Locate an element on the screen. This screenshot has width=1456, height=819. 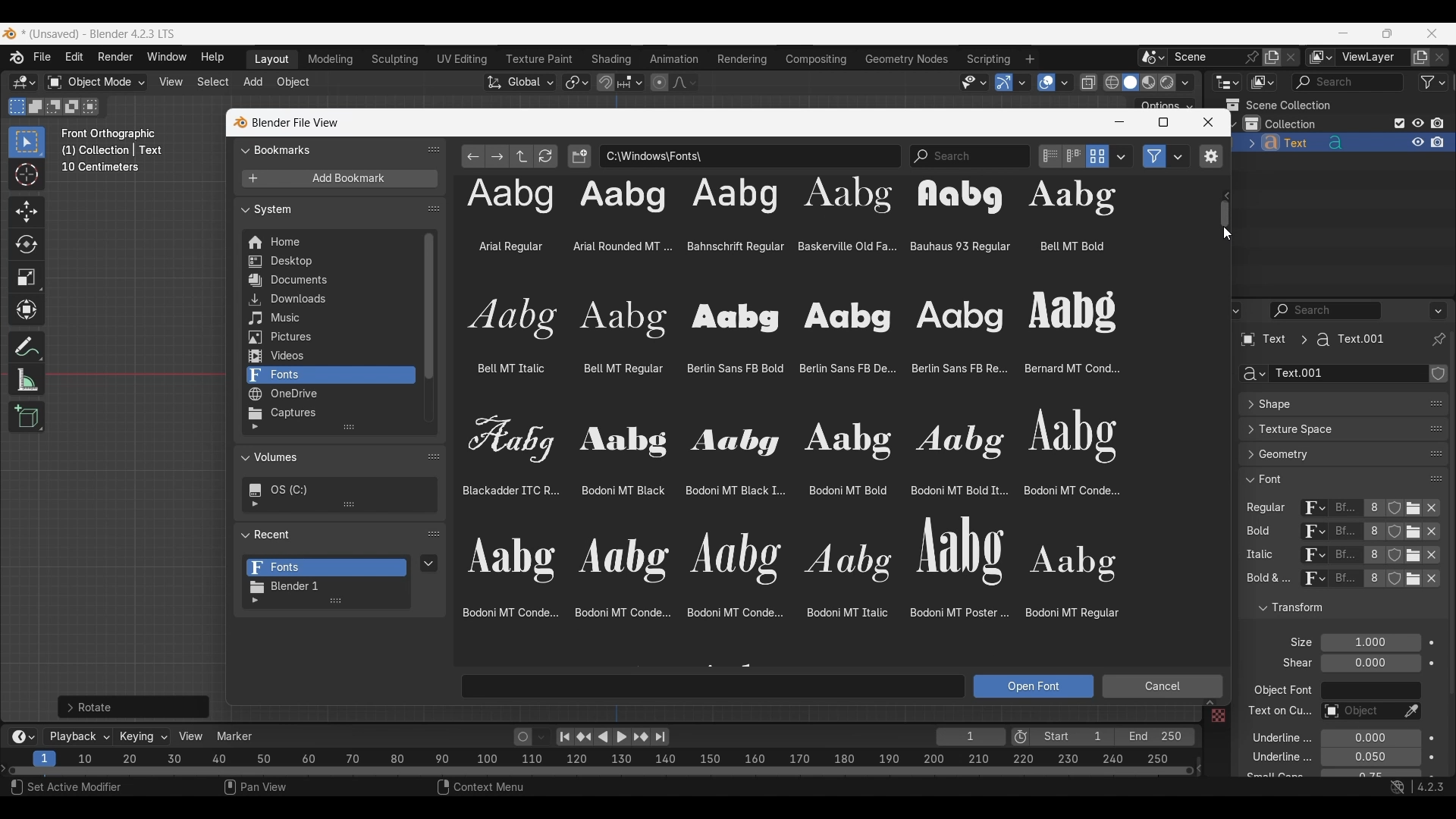
Snap during transform is located at coordinates (606, 82).